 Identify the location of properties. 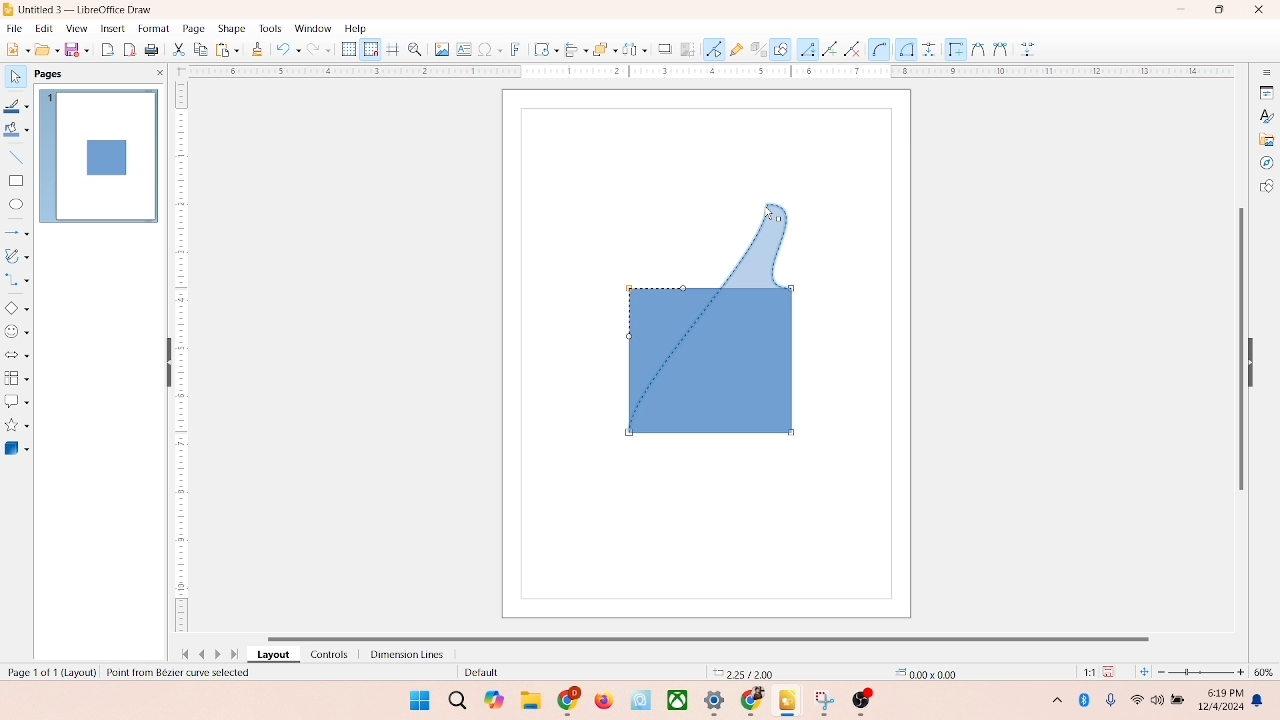
(1265, 91).